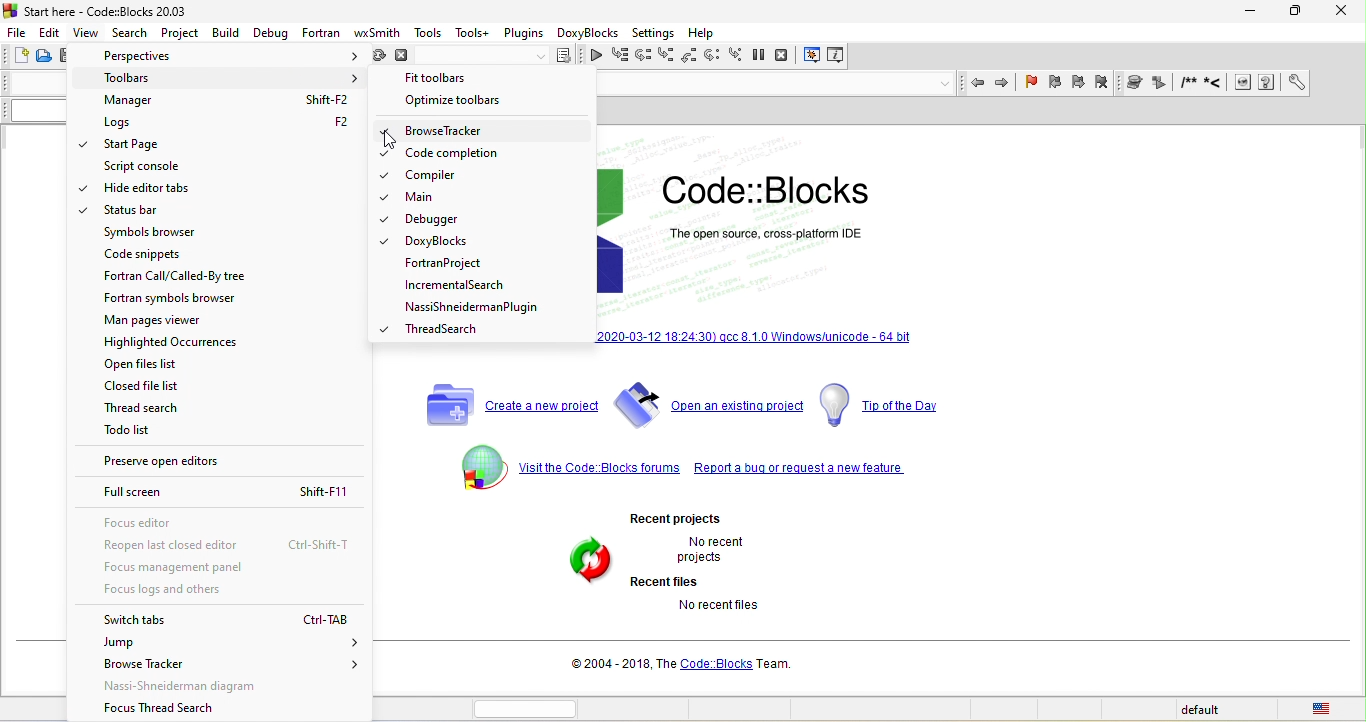  I want to click on edit, so click(51, 31).